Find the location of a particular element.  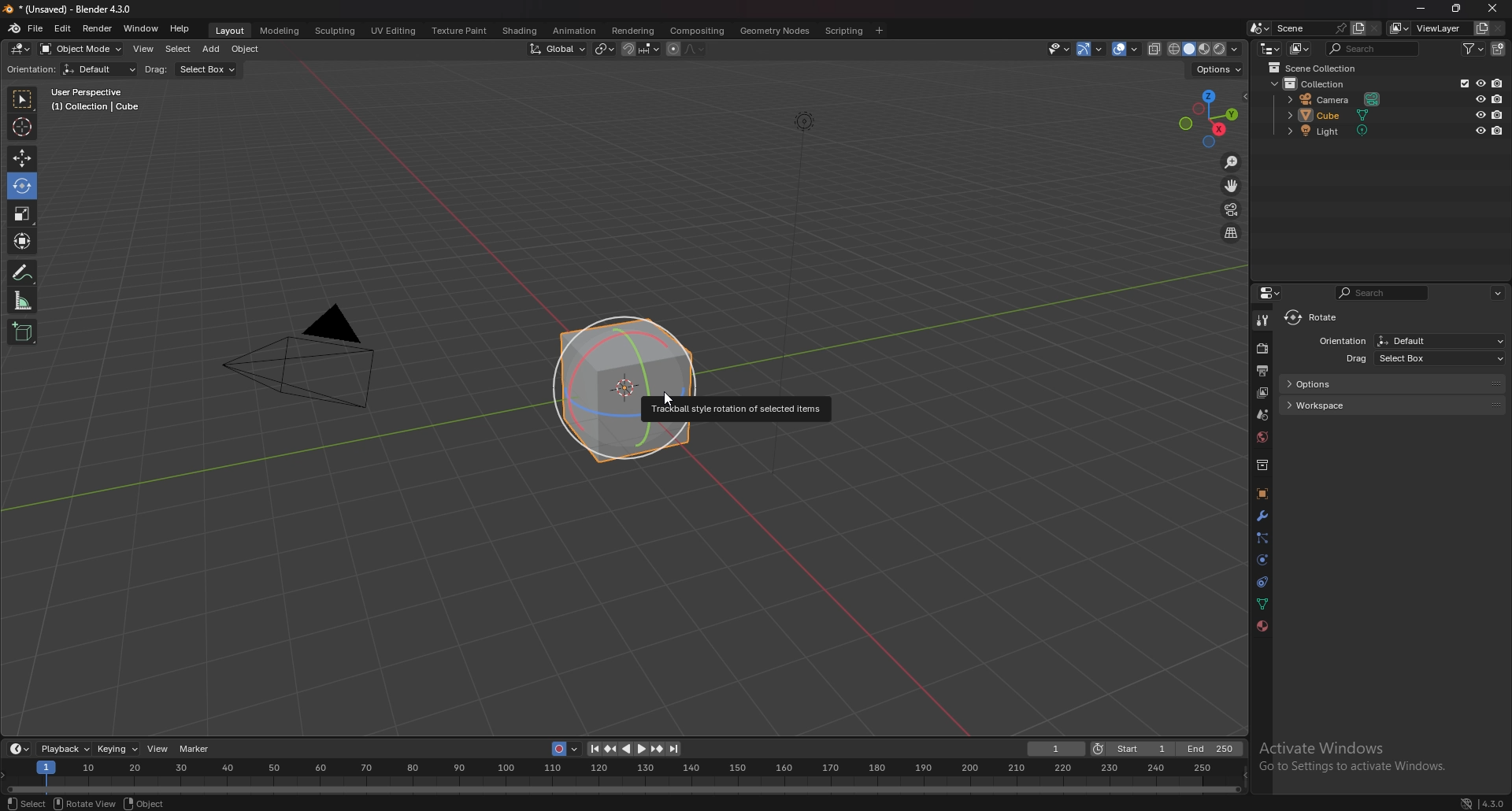

rotate view is located at coordinates (85, 803).